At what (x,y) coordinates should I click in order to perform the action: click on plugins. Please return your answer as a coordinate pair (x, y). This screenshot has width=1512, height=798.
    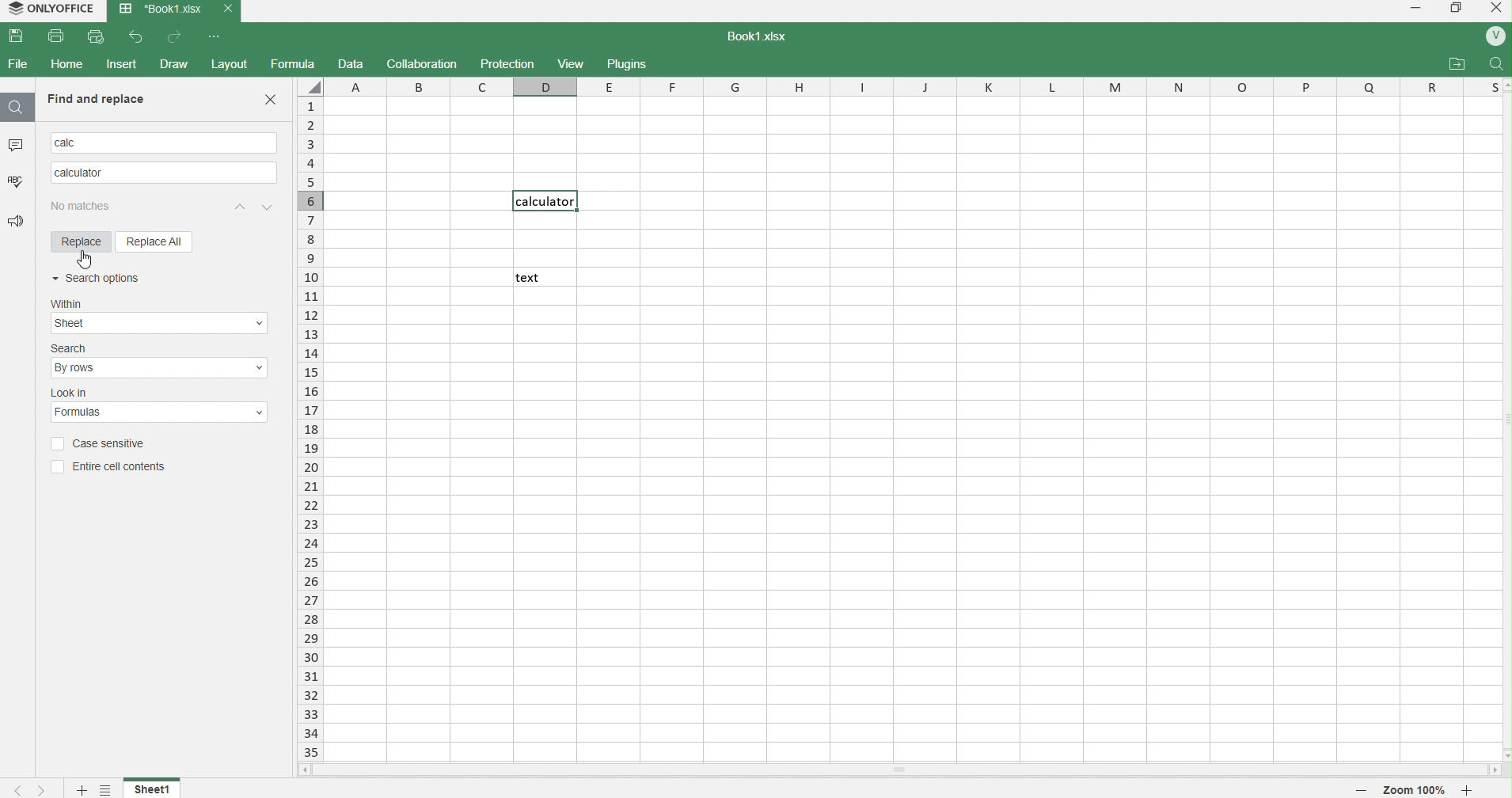
    Looking at the image, I should click on (633, 65).